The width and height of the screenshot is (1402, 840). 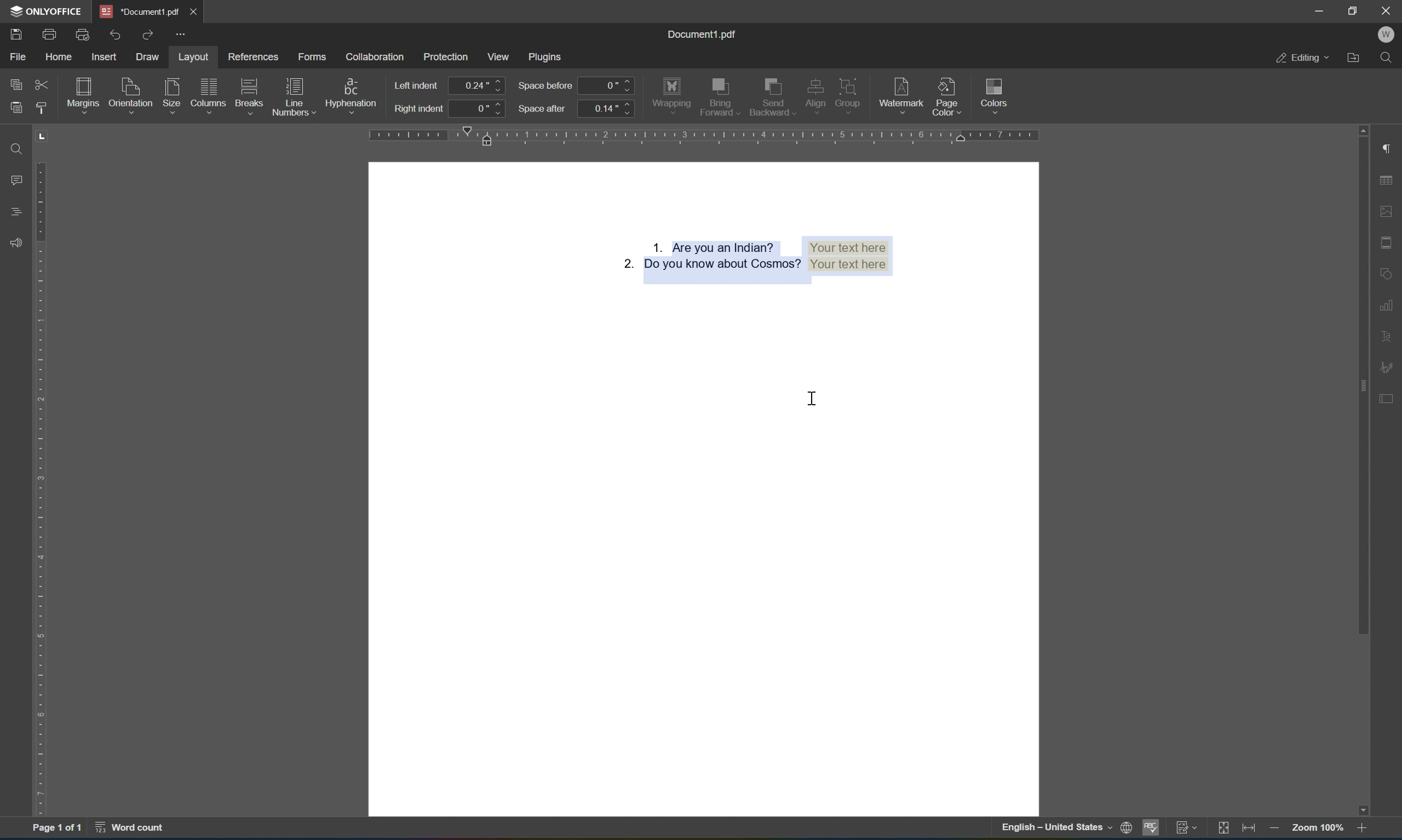 What do you see at coordinates (478, 85) in the screenshot?
I see `0.24` at bounding box center [478, 85].